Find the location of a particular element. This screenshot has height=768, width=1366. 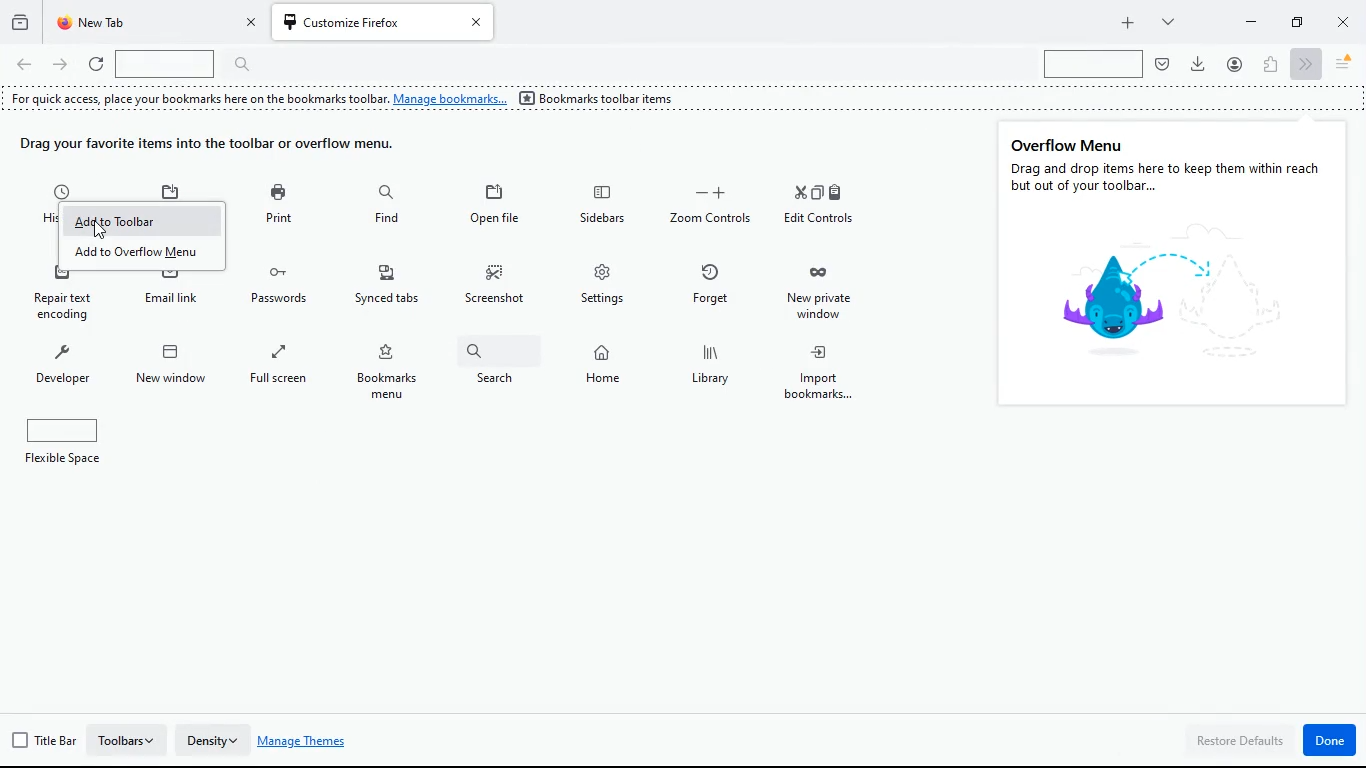

import bookmarks is located at coordinates (831, 375).